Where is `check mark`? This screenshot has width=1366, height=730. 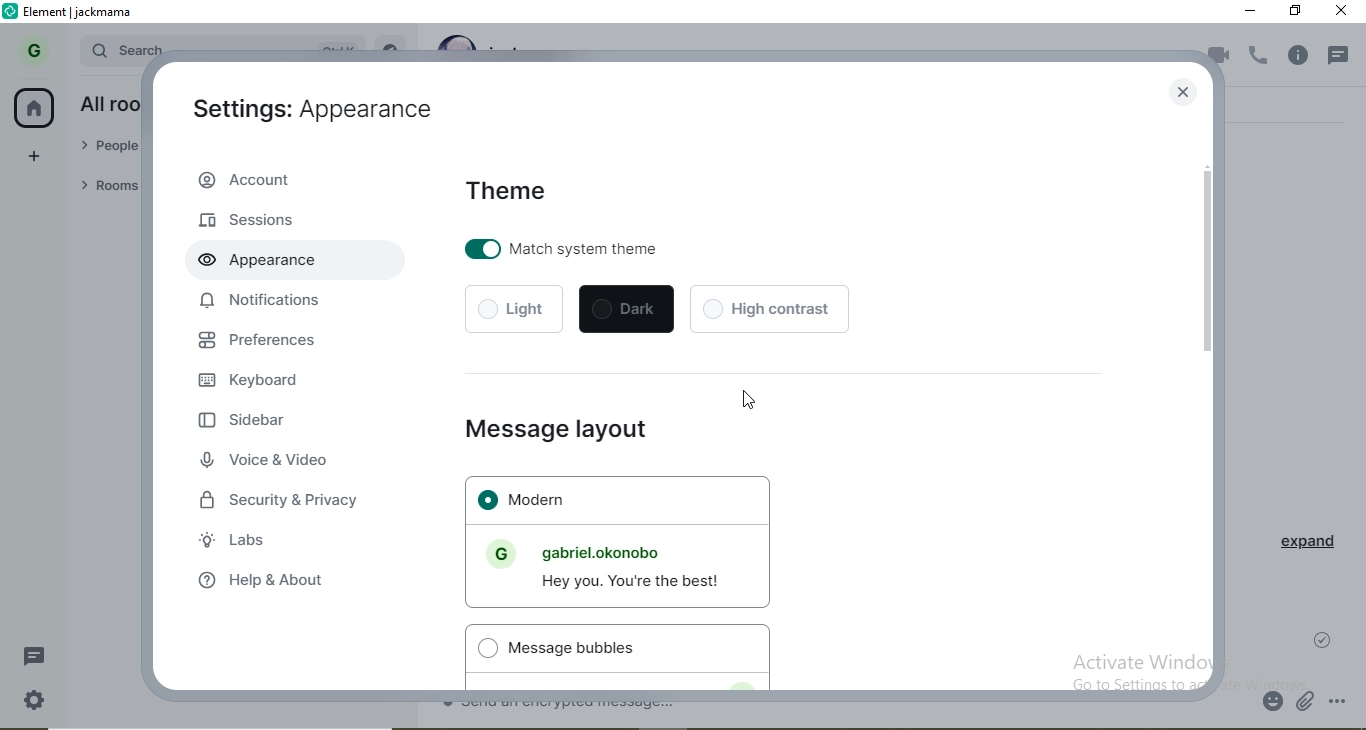 check mark is located at coordinates (1327, 637).